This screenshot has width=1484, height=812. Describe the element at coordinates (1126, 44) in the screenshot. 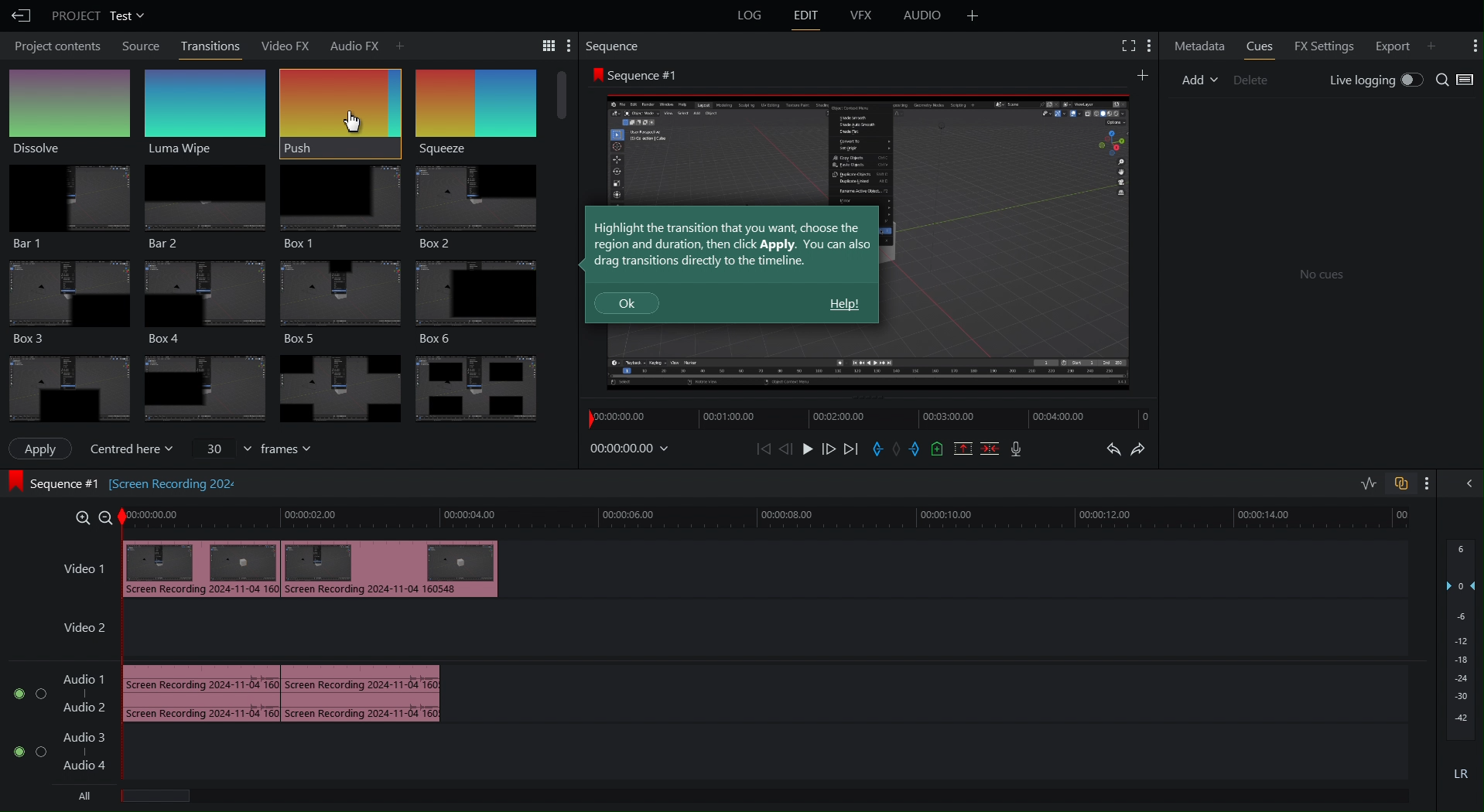

I see `Fullscreen` at that location.